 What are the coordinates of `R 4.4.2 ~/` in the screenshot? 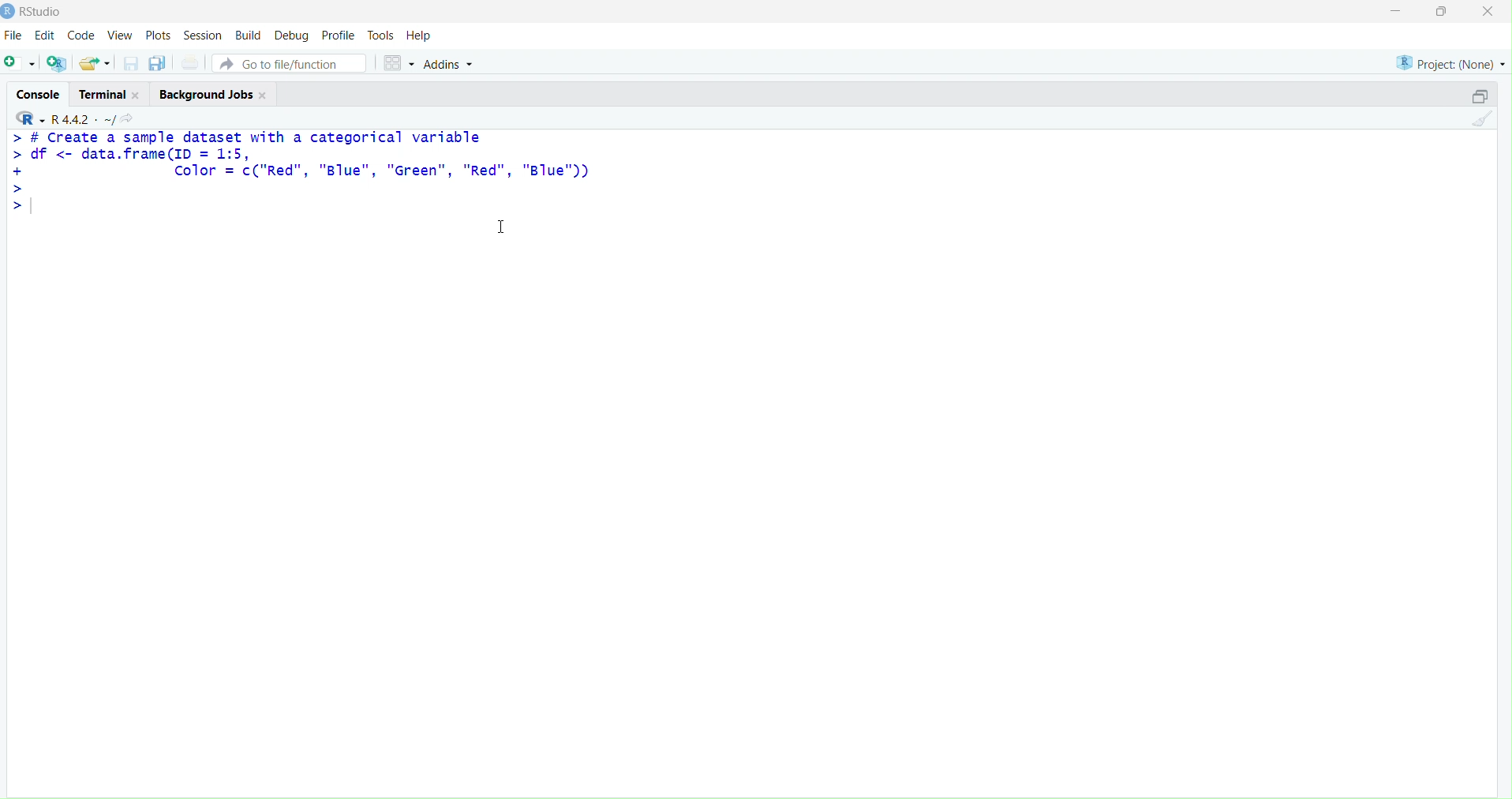 It's located at (83, 119).